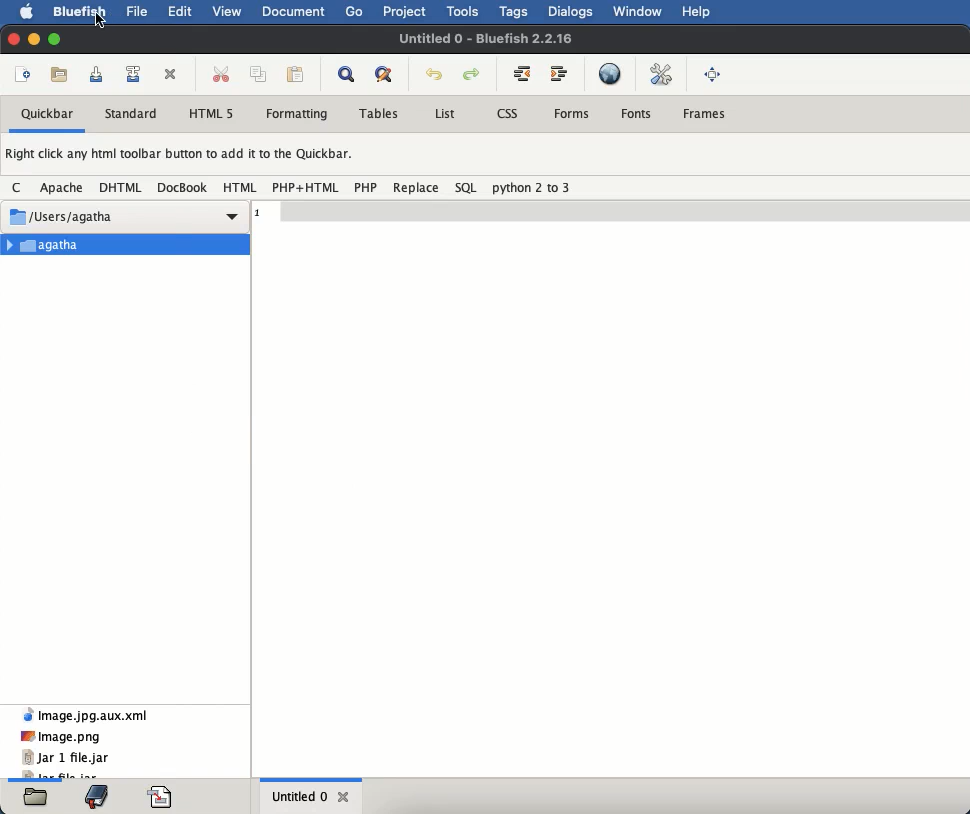  Describe the element at coordinates (101, 75) in the screenshot. I see `save current file` at that location.